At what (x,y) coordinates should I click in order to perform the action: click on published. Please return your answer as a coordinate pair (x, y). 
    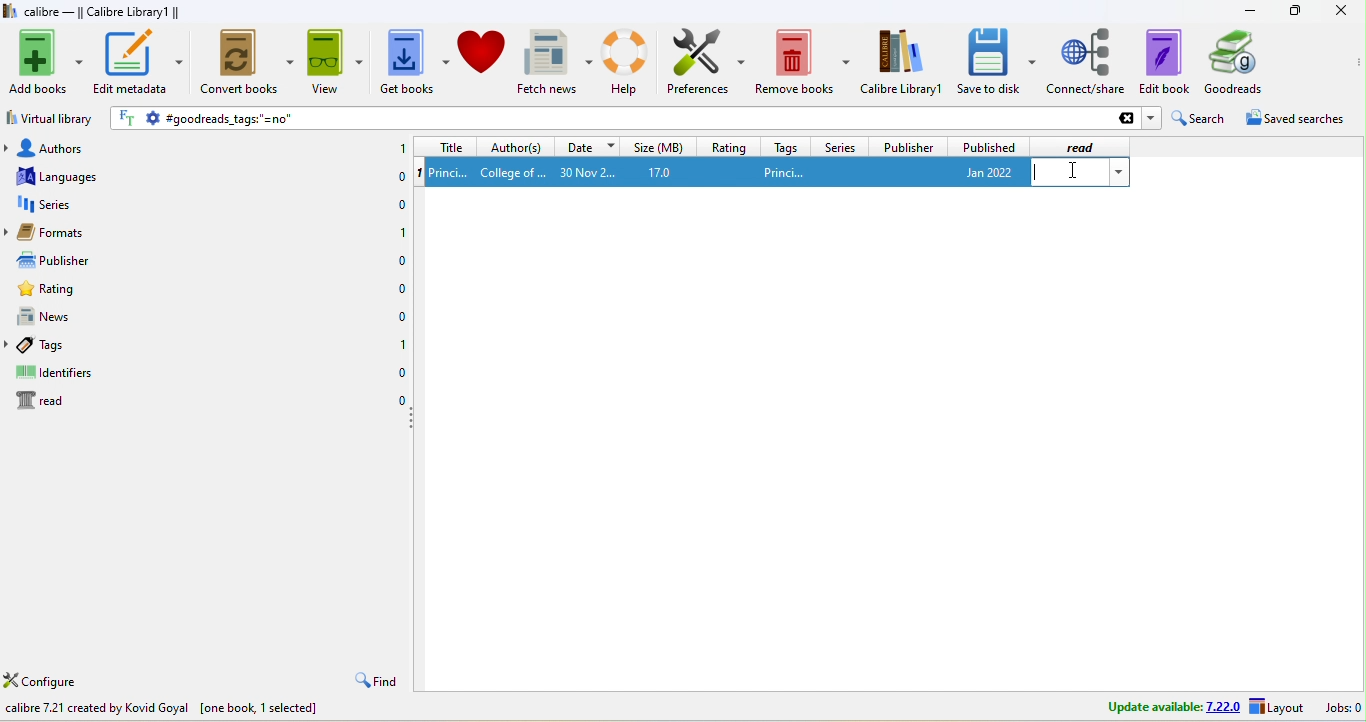
    Looking at the image, I should click on (988, 146).